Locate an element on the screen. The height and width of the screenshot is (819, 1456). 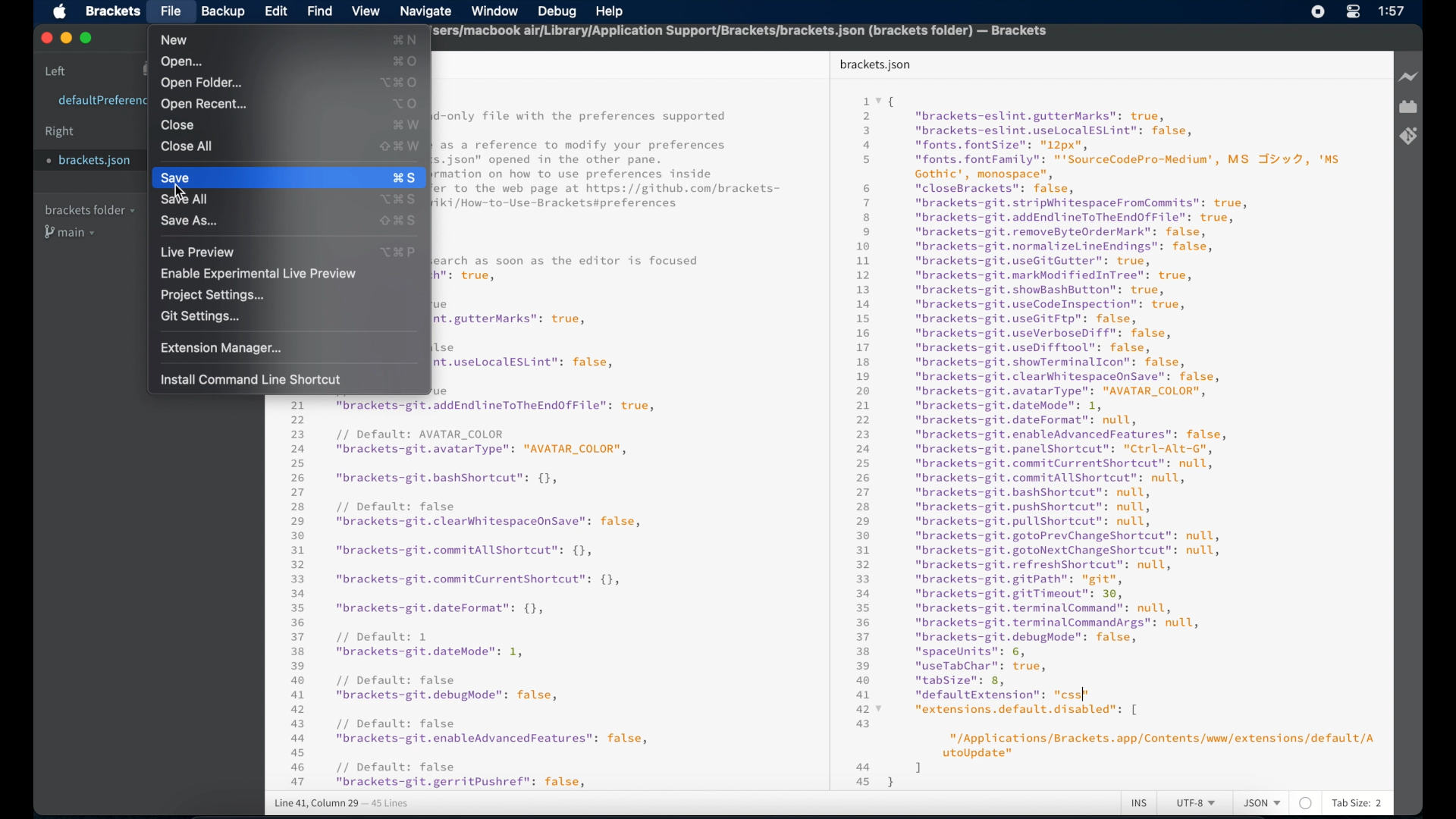
close all is located at coordinates (187, 146).